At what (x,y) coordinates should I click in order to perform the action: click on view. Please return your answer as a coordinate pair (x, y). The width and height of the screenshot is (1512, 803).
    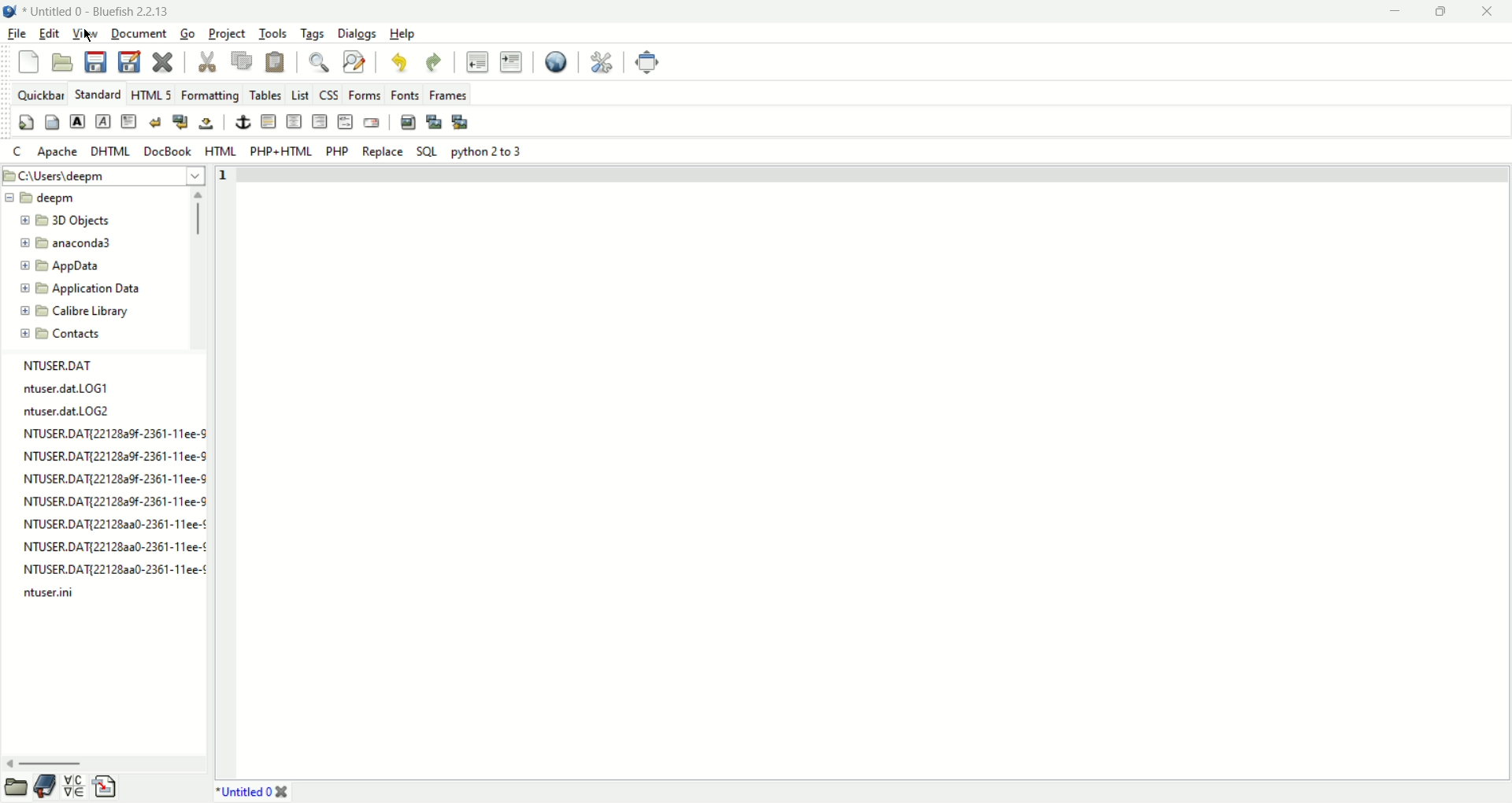
    Looking at the image, I should click on (86, 35).